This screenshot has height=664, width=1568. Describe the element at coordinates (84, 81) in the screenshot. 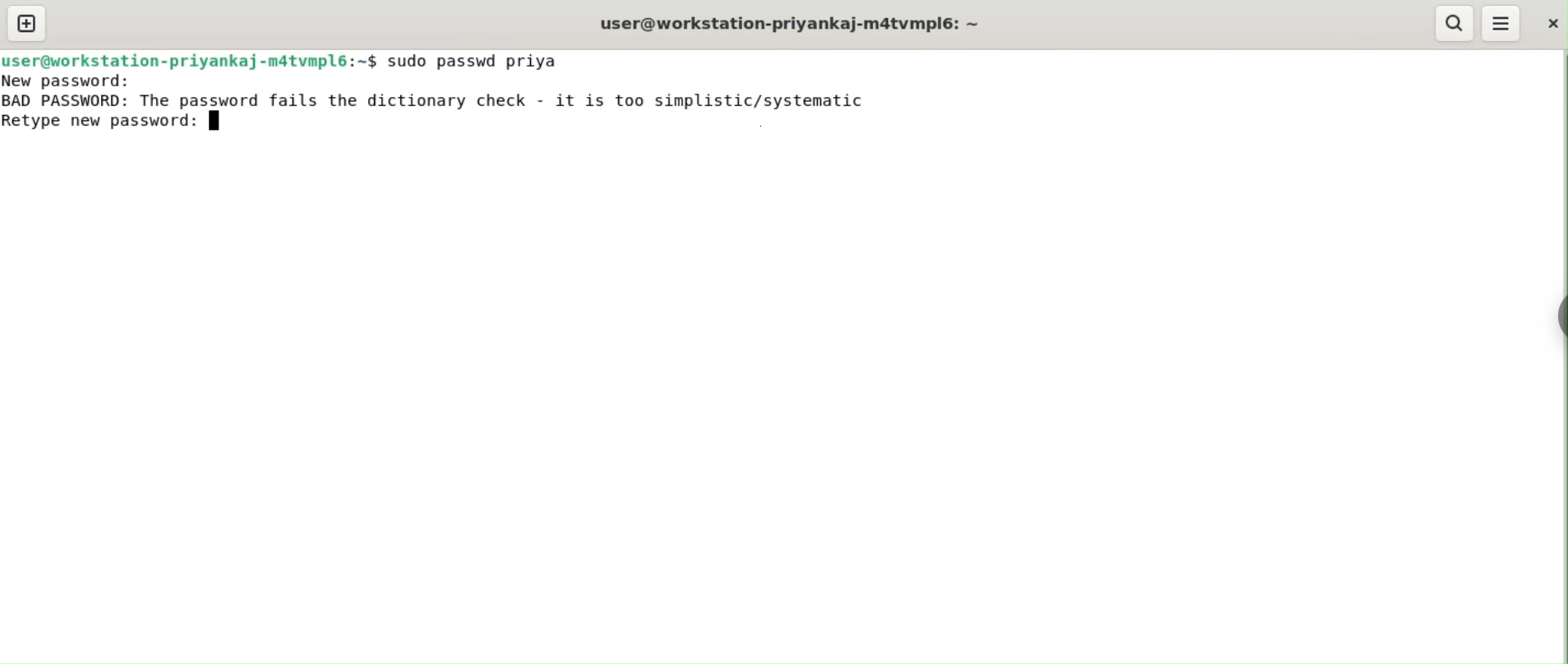

I see `new password:` at that location.